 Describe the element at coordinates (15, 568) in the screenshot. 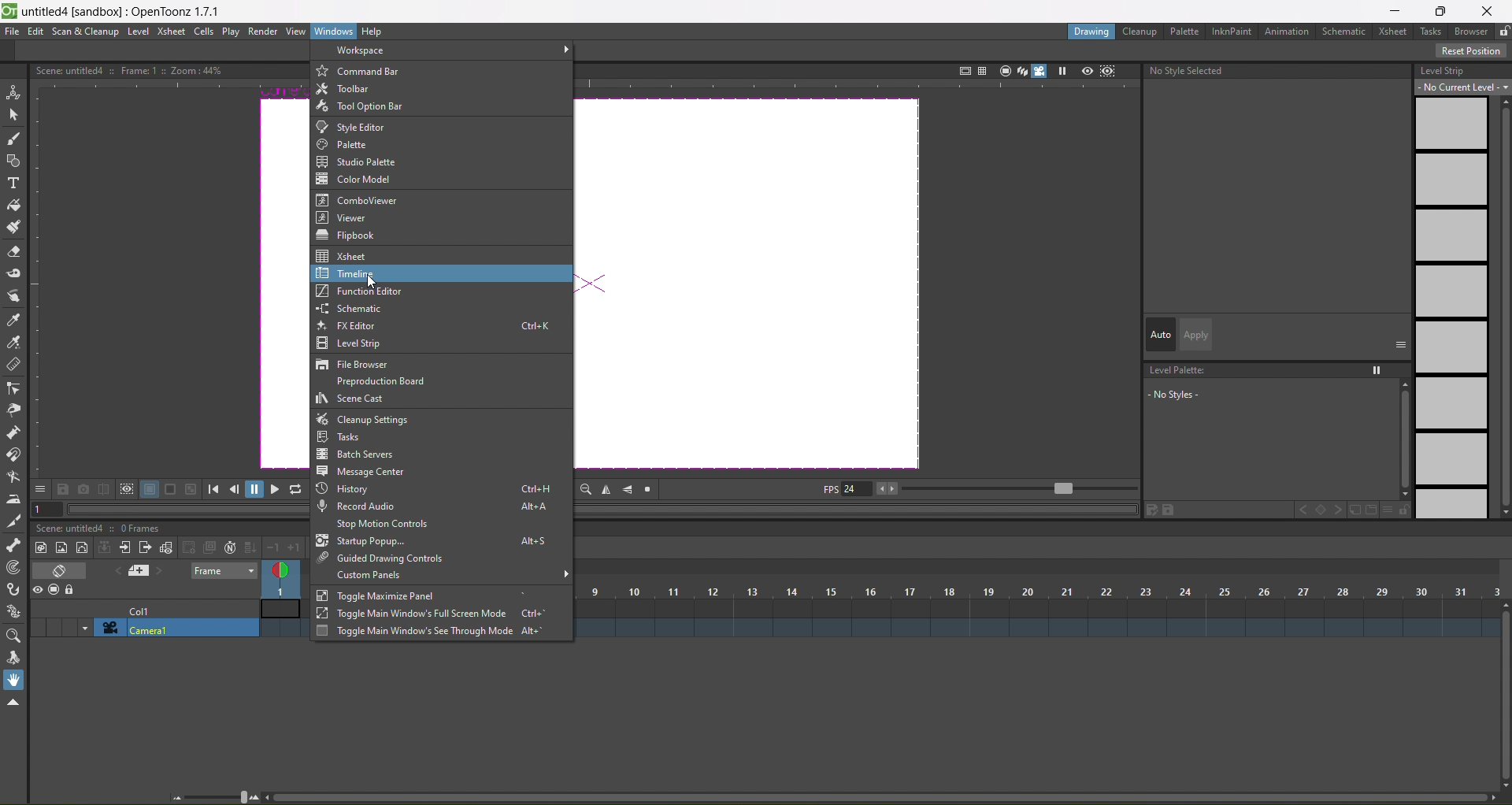

I see `tracker tool` at that location.